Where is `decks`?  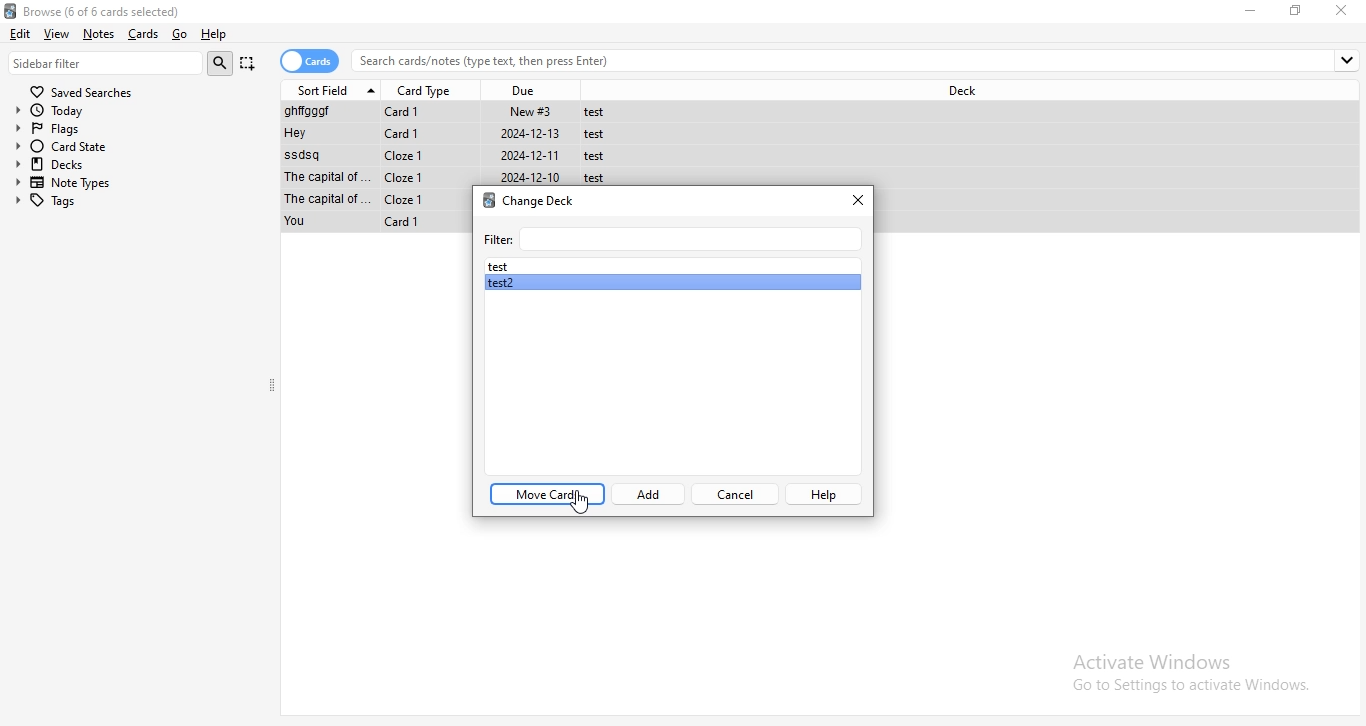 decks is located at coordinates (134, 164).